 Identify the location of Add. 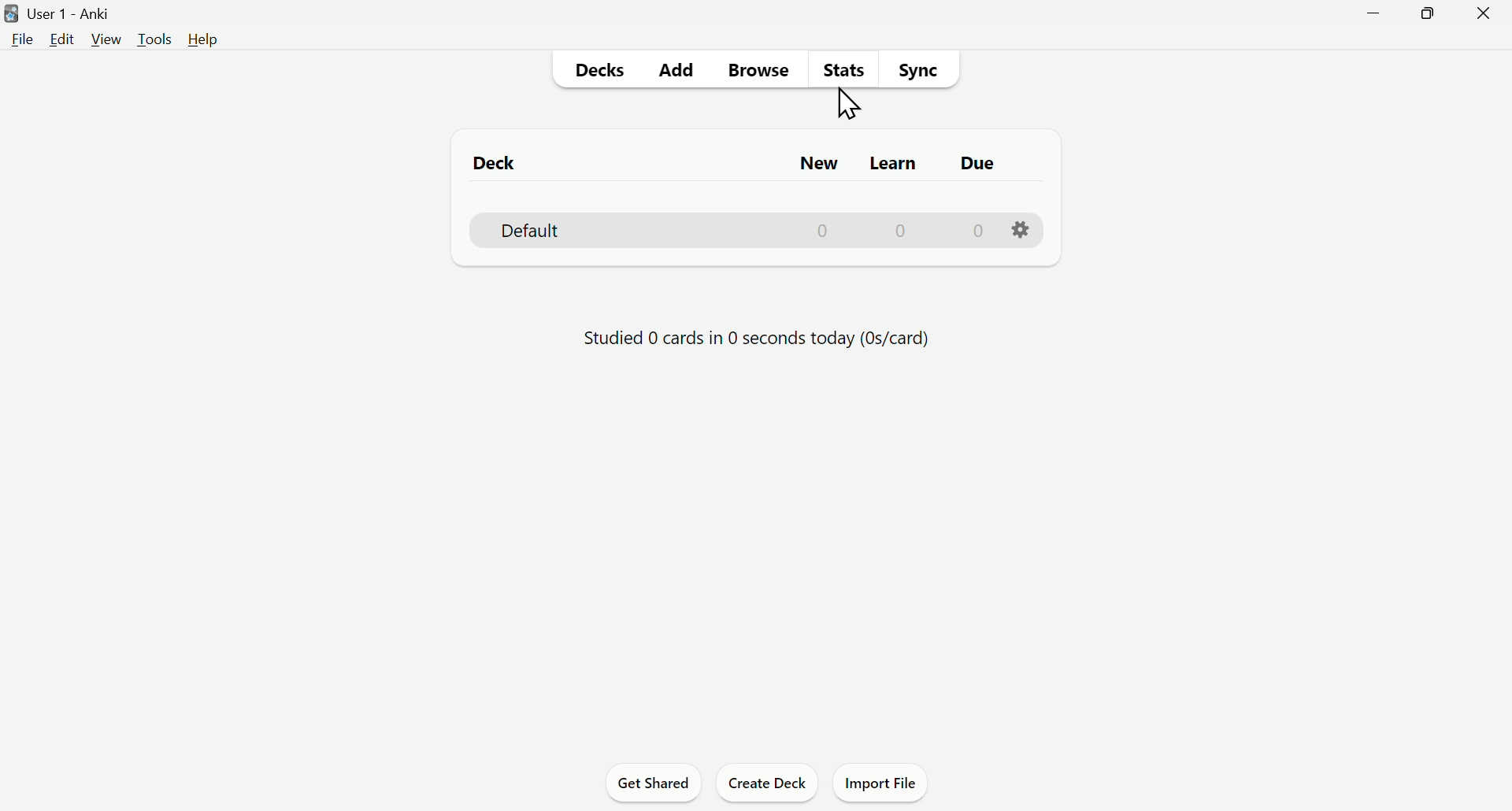
(672, 69).